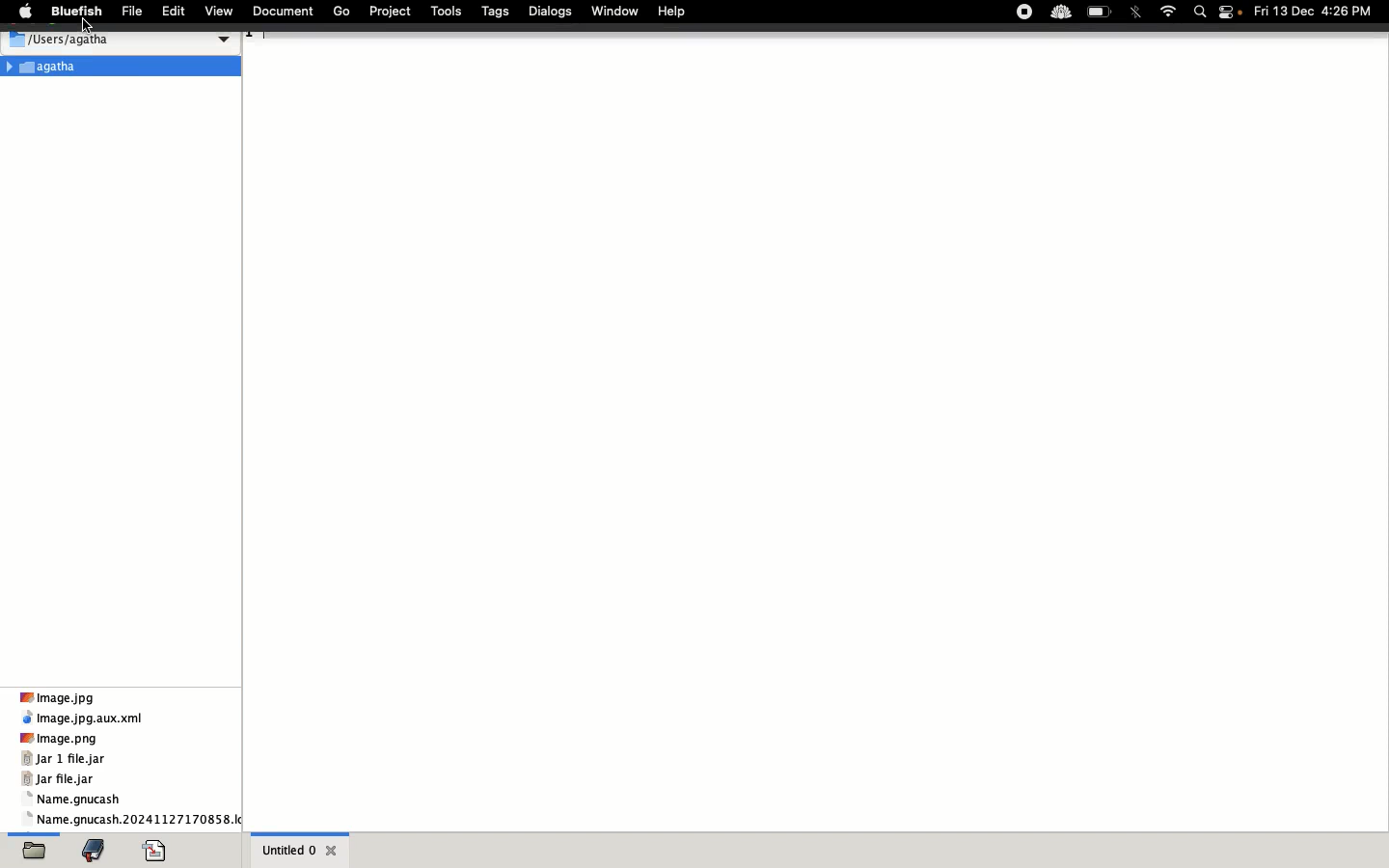 Image resolution: width=1389 pixels, height=868 pixels. I want to click on Apple logo, so click(21, 13).